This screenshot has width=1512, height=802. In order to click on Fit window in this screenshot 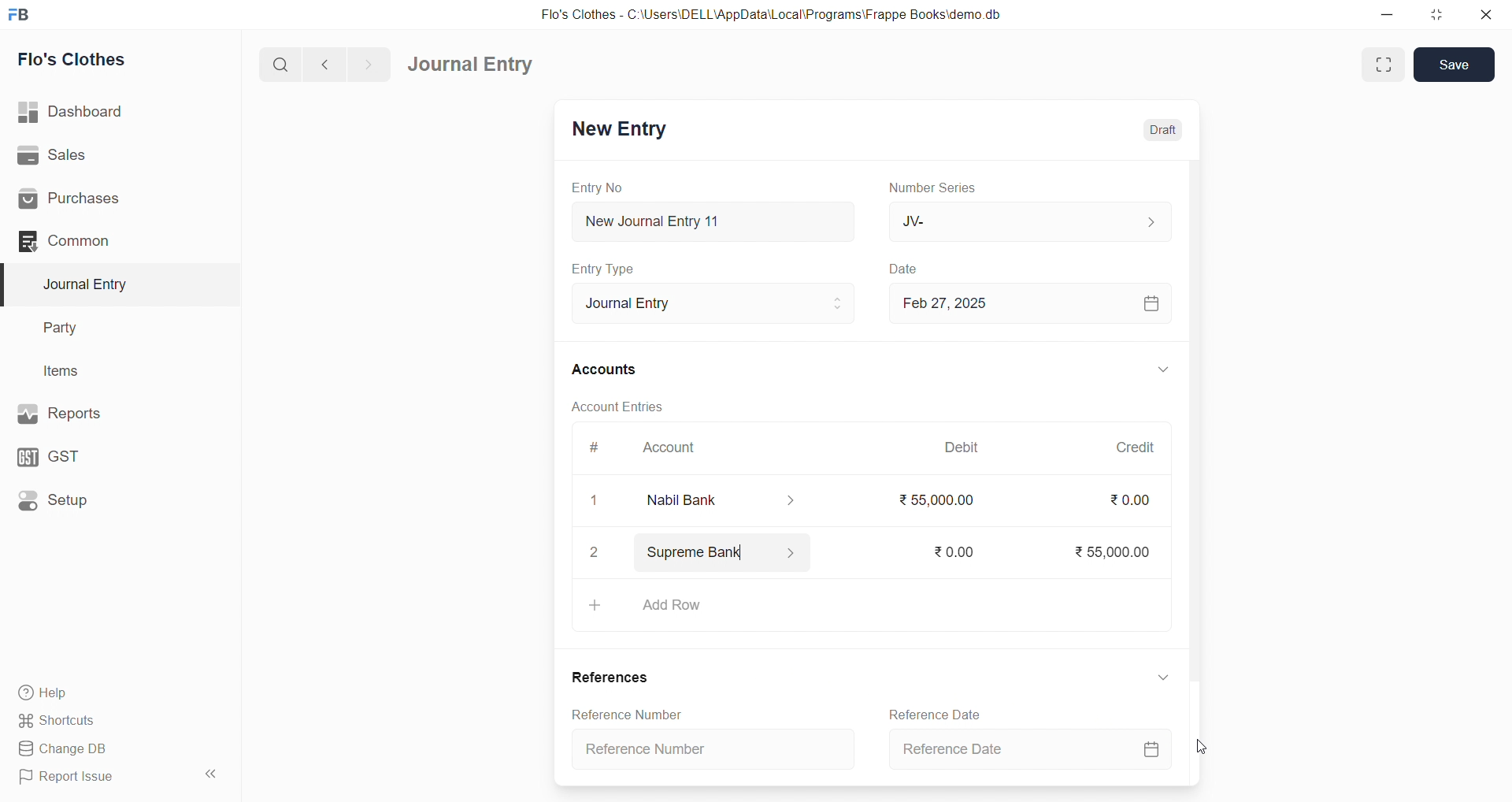, I will do `click(1381, 65)`.